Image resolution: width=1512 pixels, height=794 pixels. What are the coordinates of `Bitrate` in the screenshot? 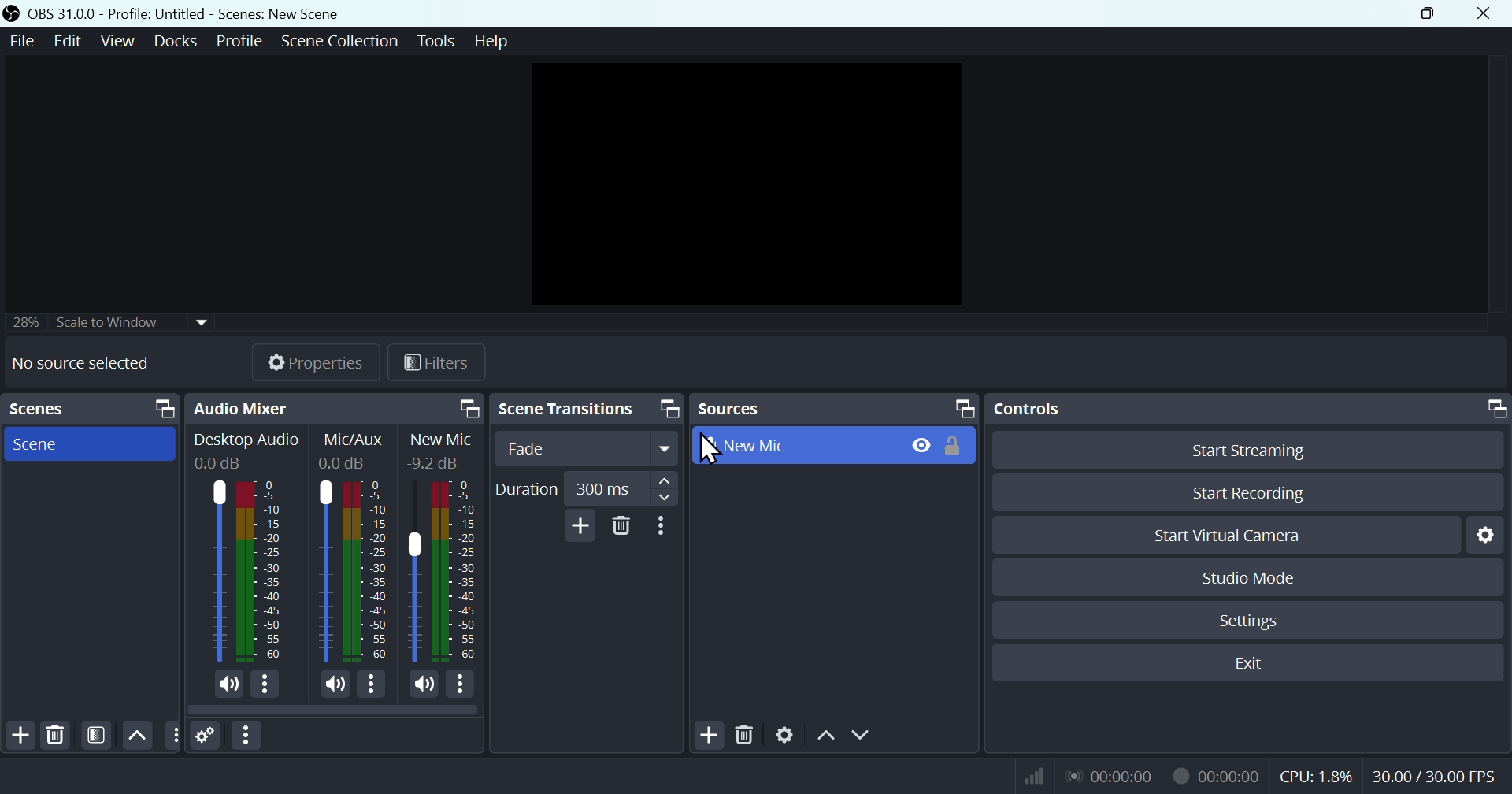 It's located at (1036, 774).